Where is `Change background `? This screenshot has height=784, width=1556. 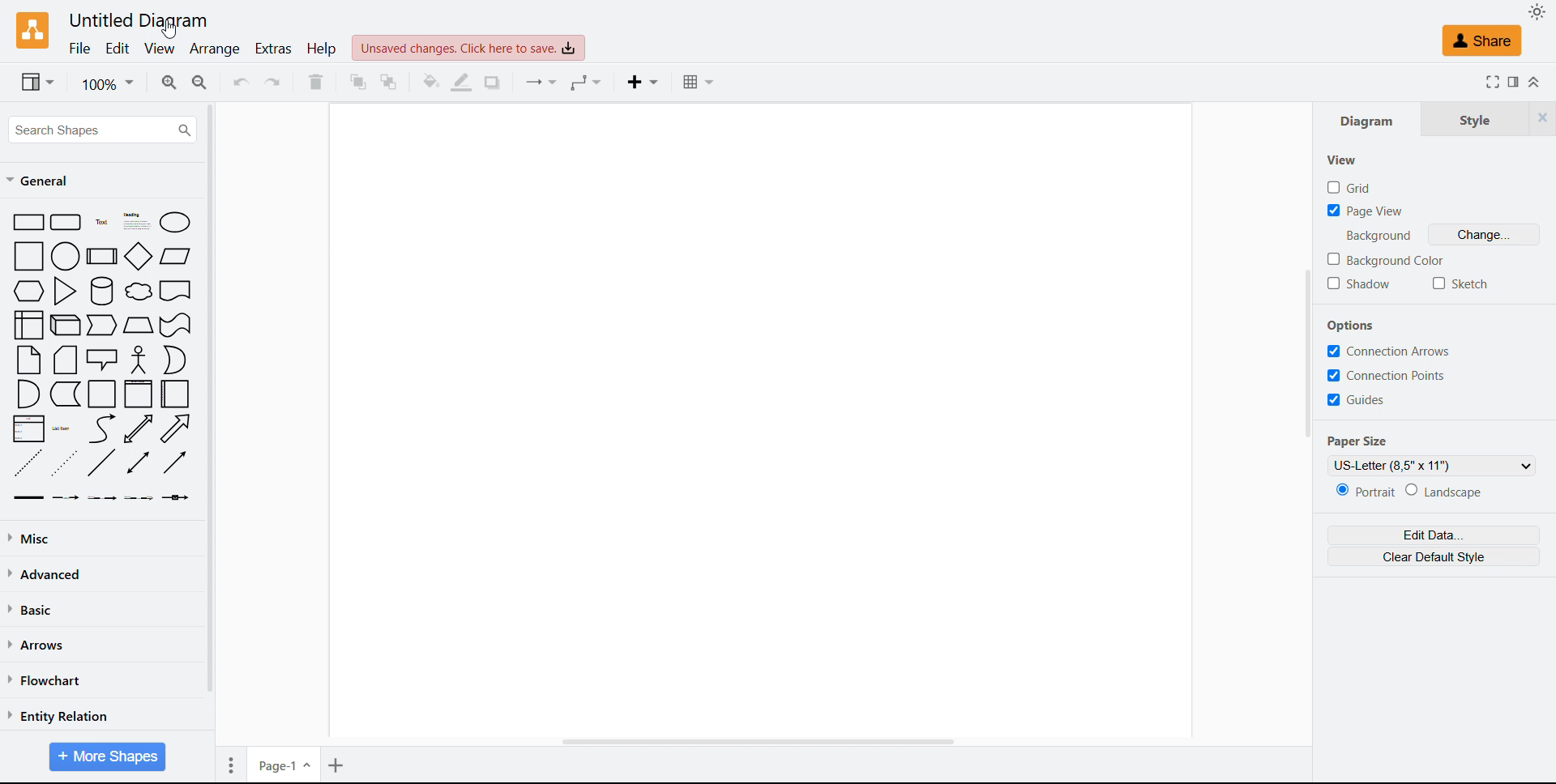 Change background  is located at coordinates (1485, 235).